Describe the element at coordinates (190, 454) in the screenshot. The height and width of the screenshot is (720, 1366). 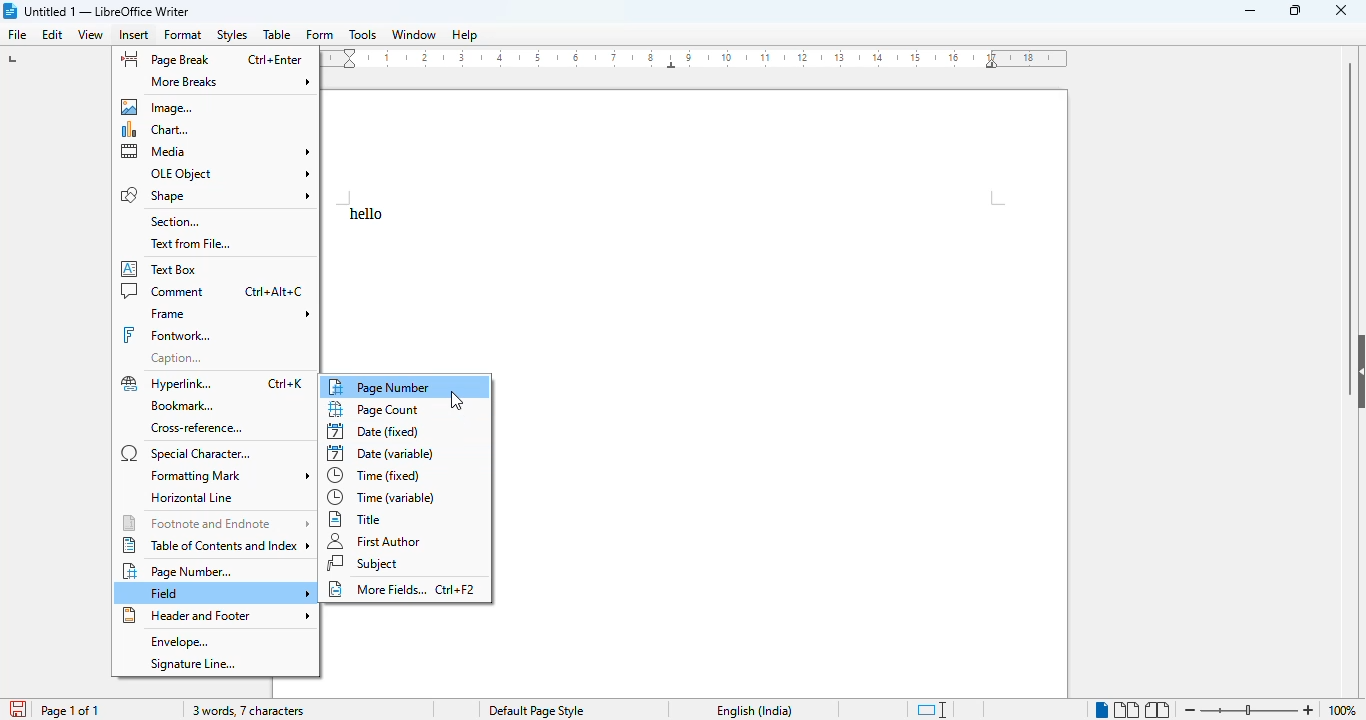
I see `special character` at that location.